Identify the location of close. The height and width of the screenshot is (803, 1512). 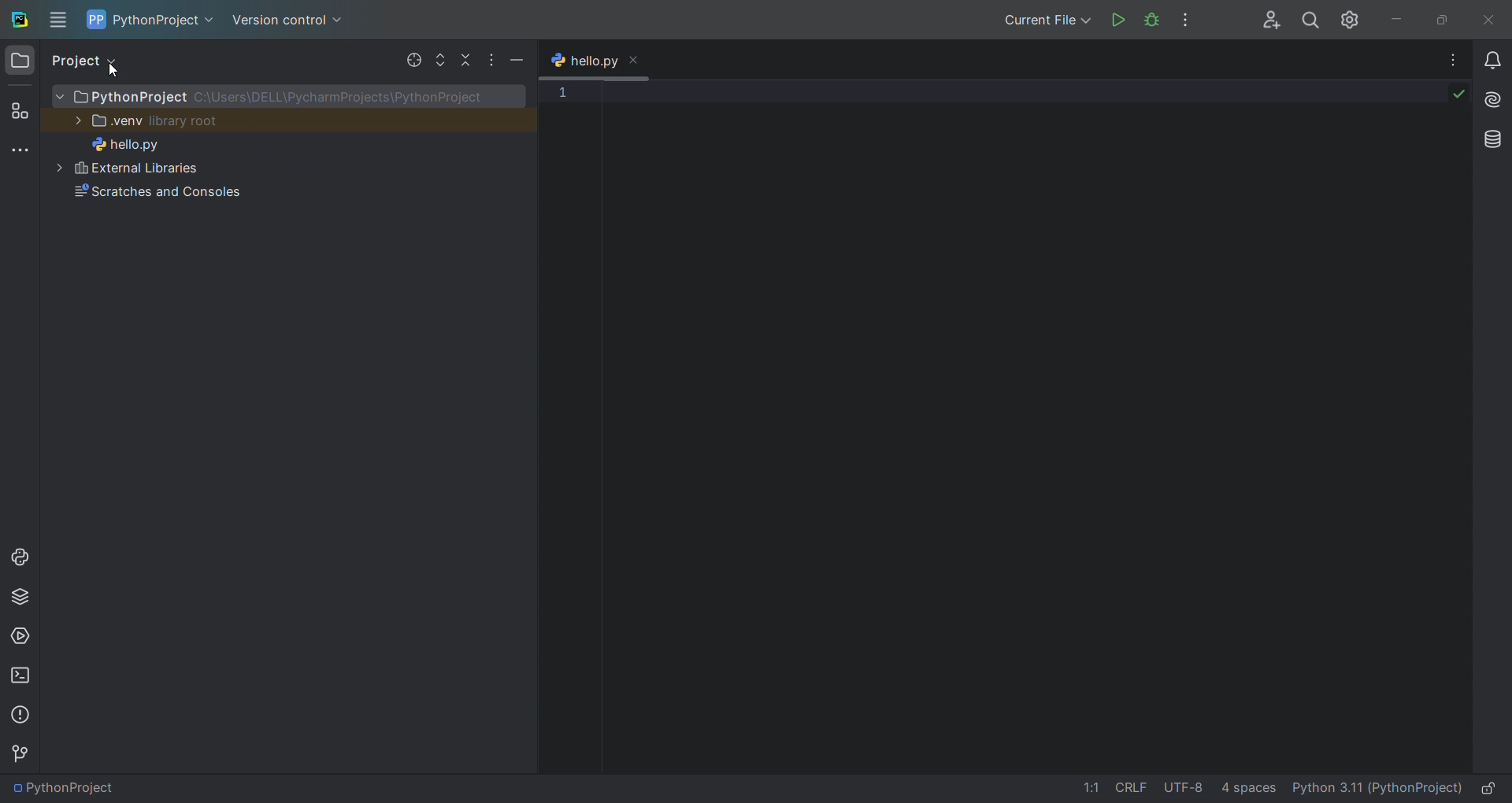
(1488, 20).